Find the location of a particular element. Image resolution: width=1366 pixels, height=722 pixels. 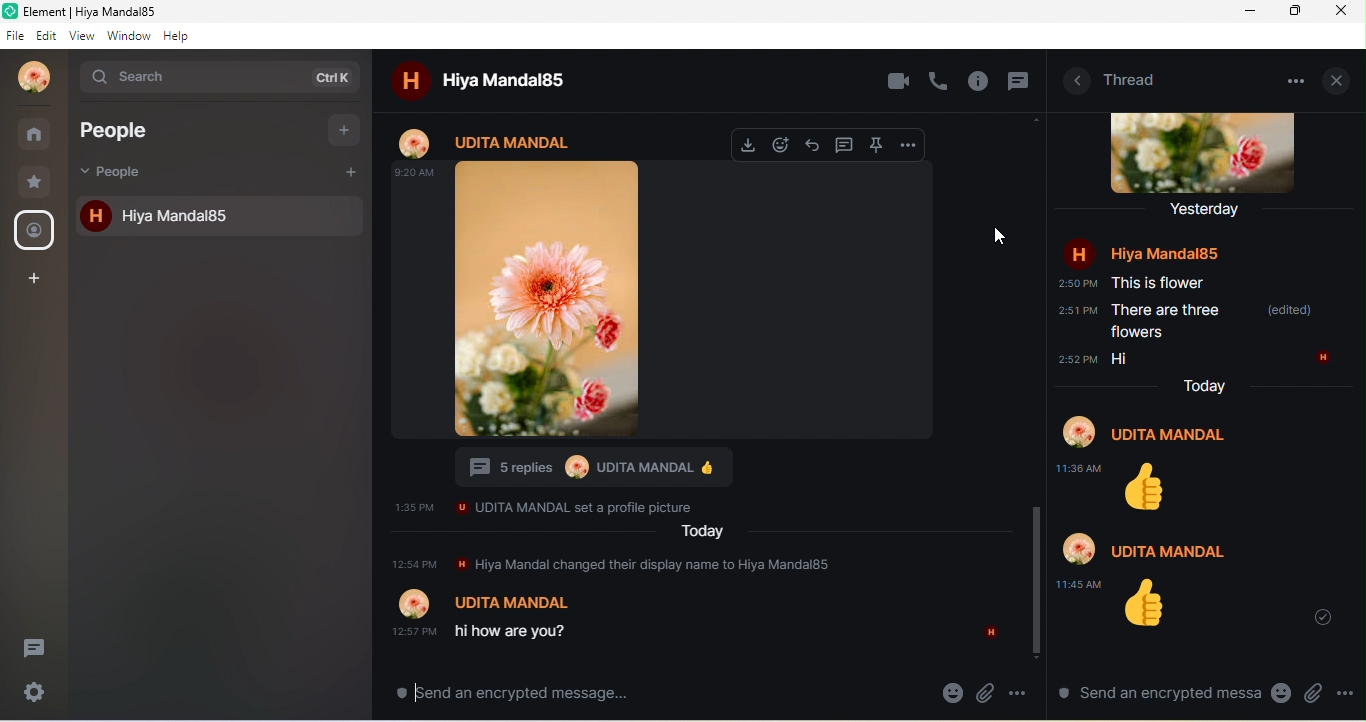

option is located at coordinates (1347, 692).